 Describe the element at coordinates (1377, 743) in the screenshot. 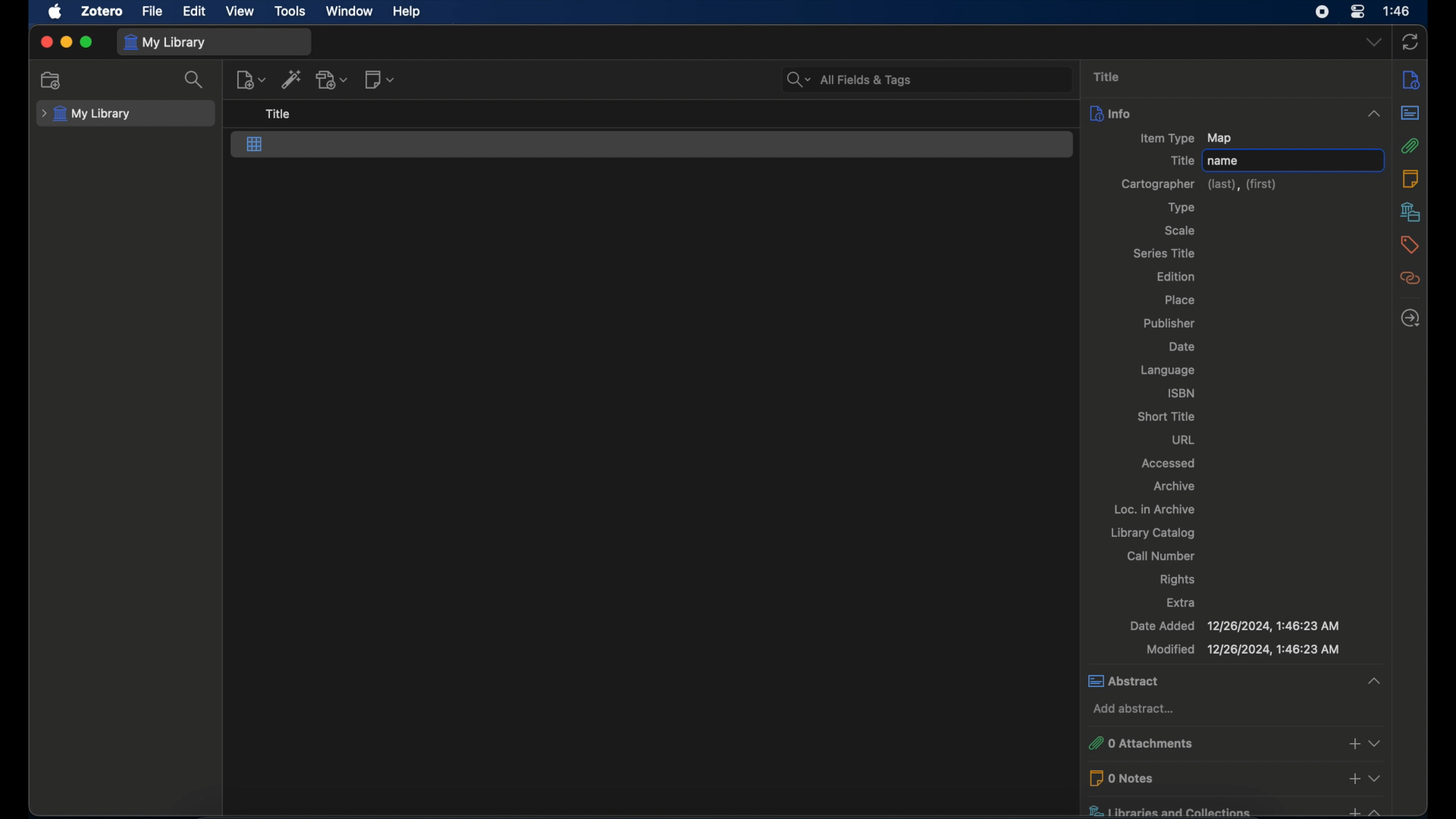

I see `Collapse or expand ` at that location.